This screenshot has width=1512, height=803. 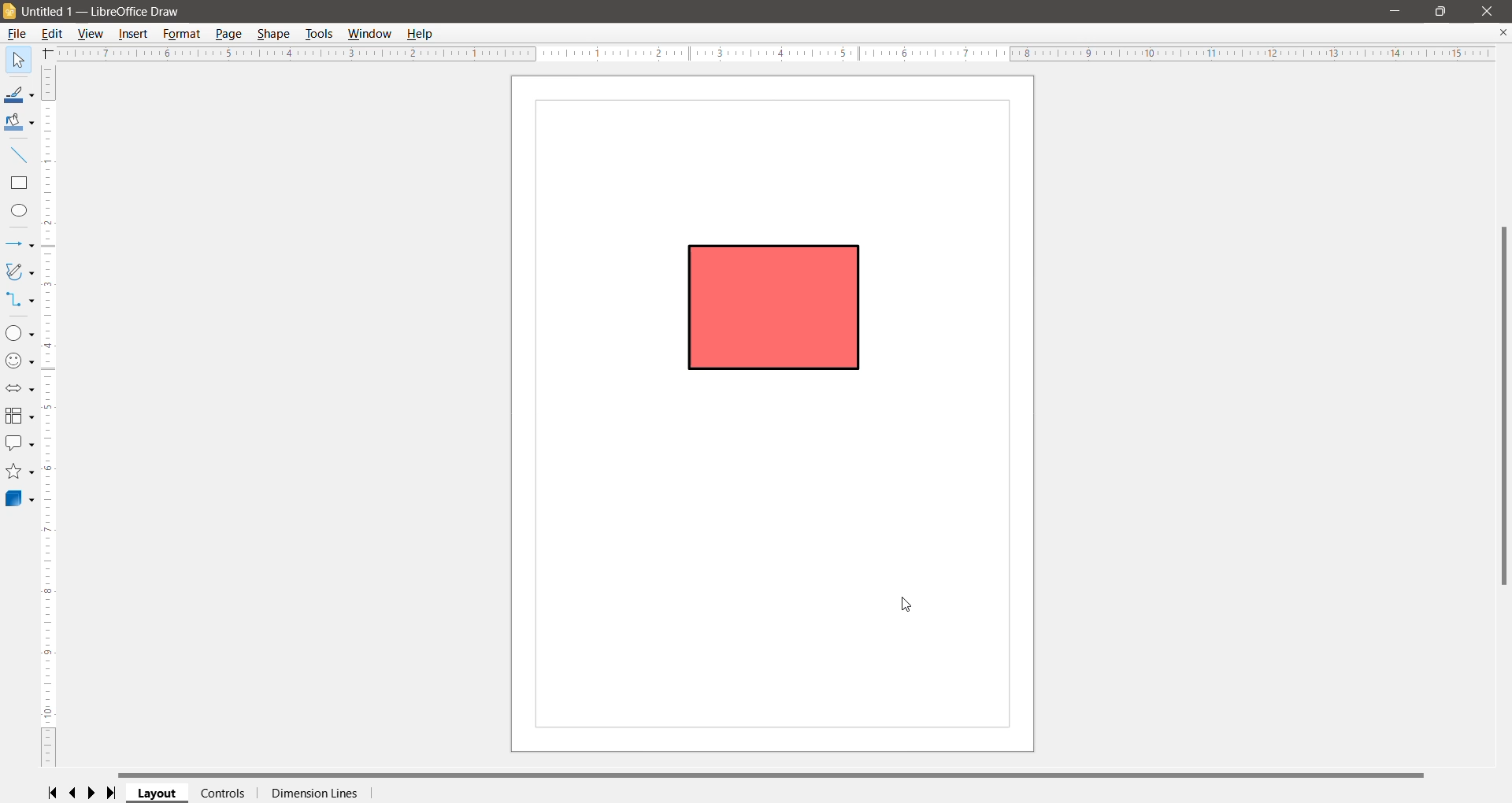 What do you see at coordinates (181, 34) in the screenshot?
I see `Format` at bounding box center [181, 34].